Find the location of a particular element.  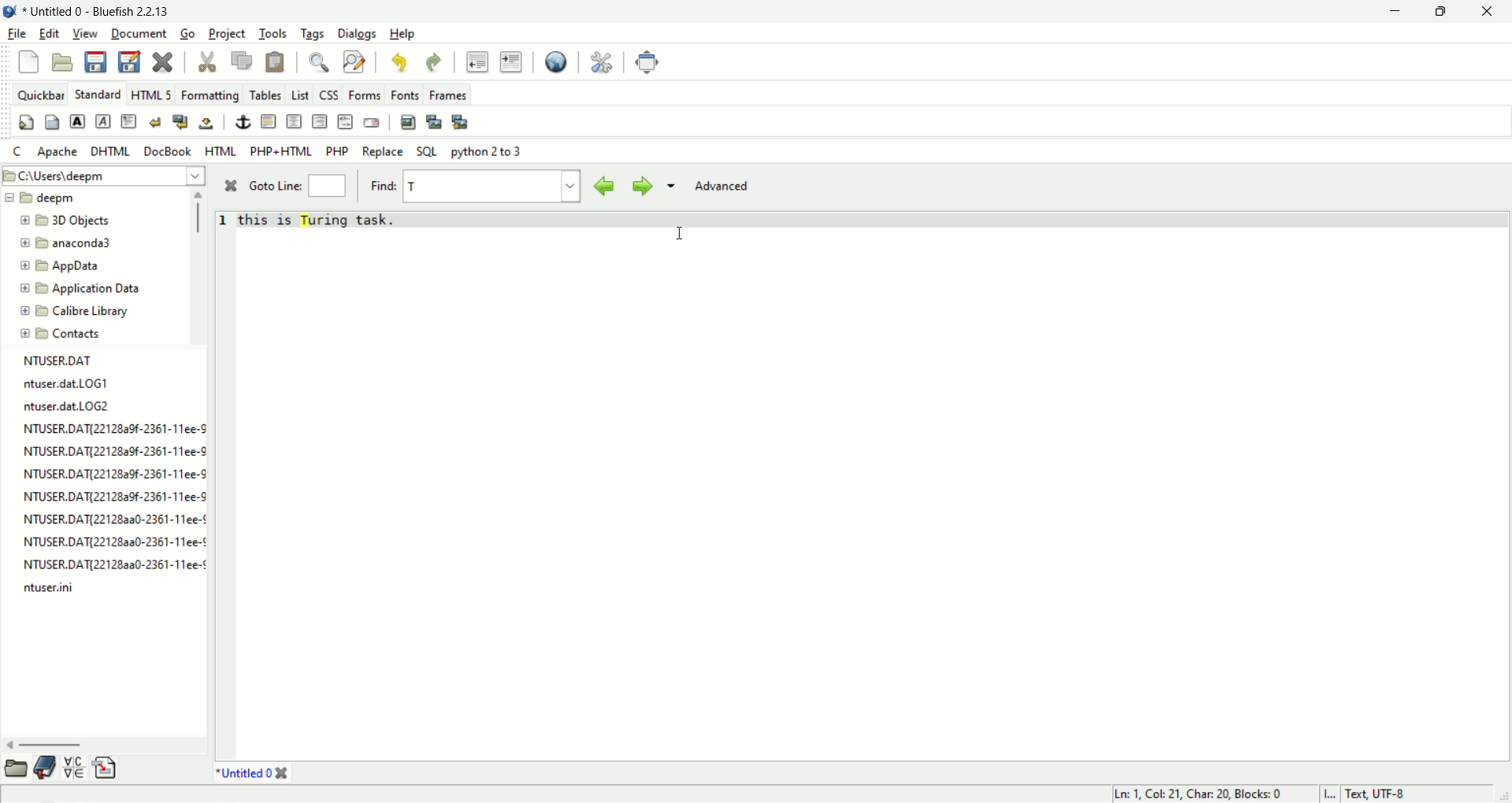

scroll bar is located at coordinates (199, 265).